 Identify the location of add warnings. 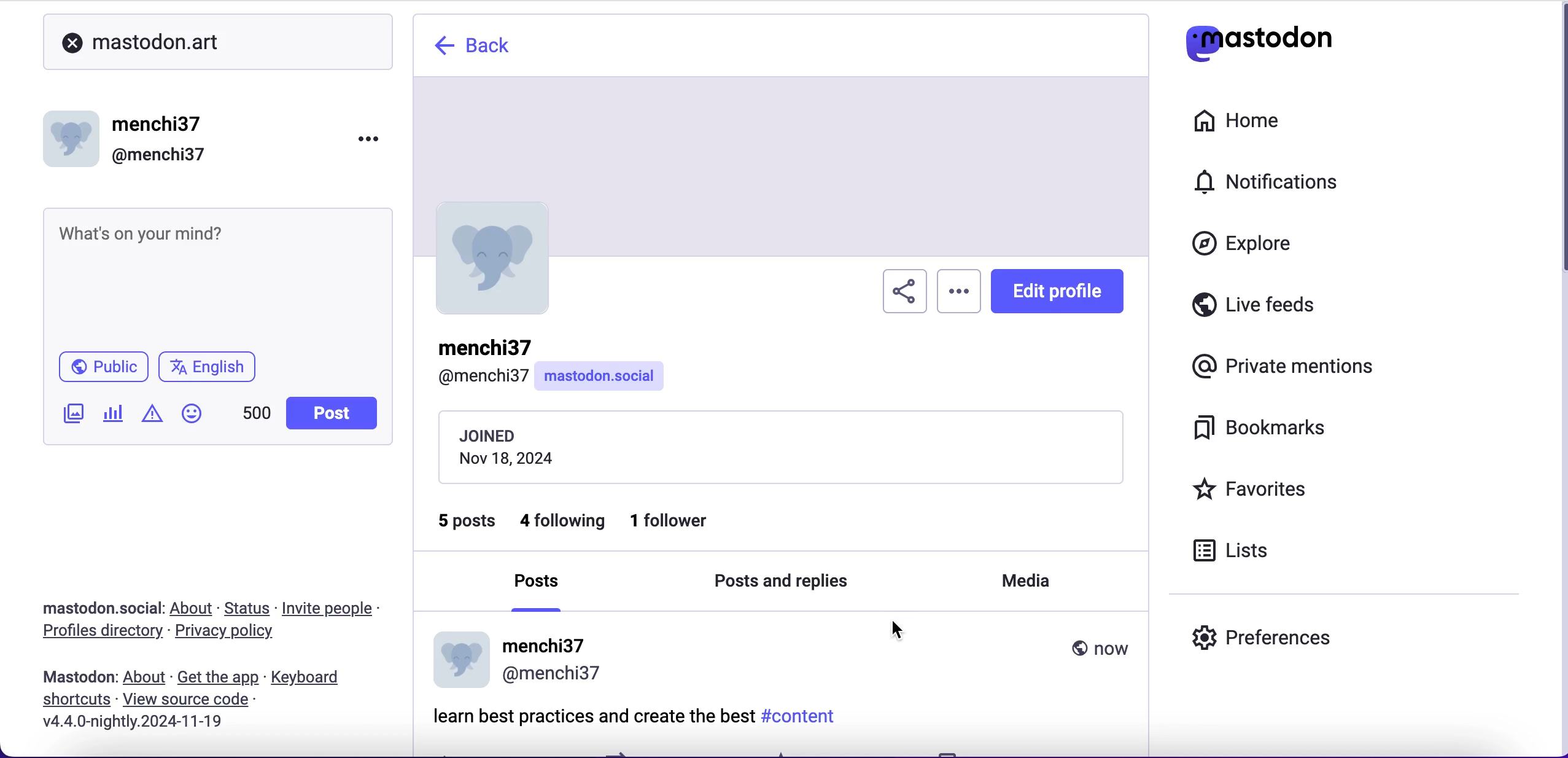
(152, 418).